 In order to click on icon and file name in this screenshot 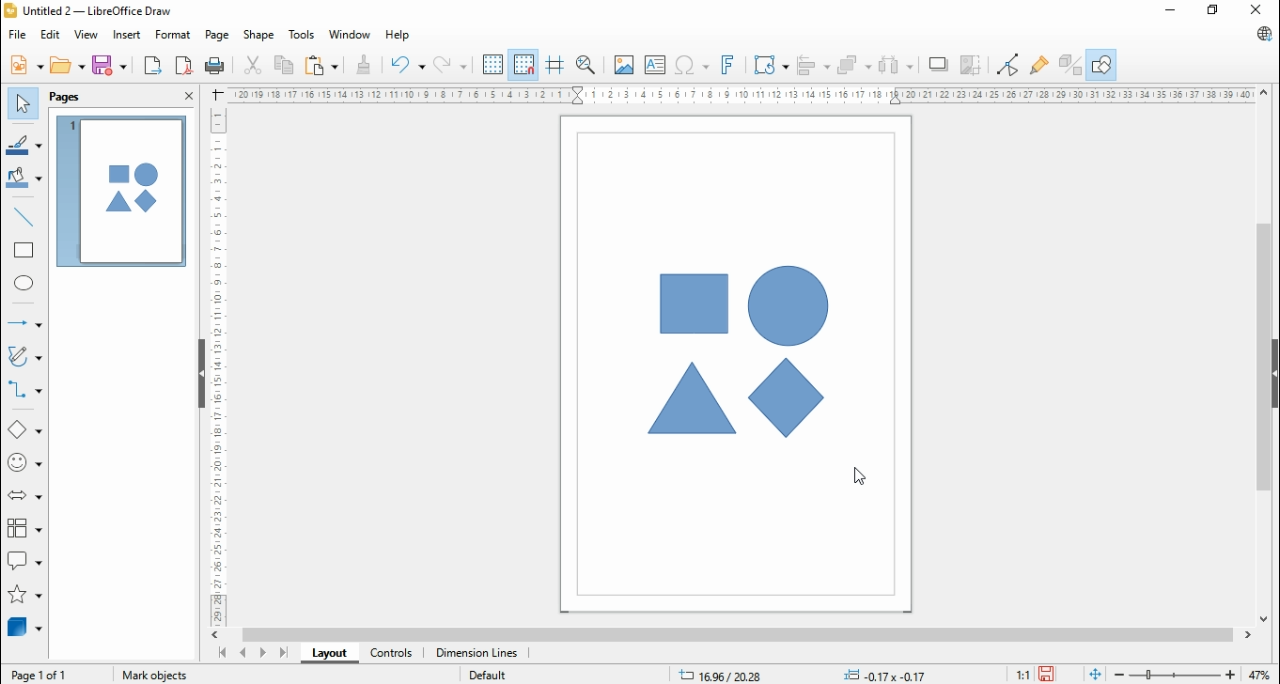, I will do `click(90, 10)`.